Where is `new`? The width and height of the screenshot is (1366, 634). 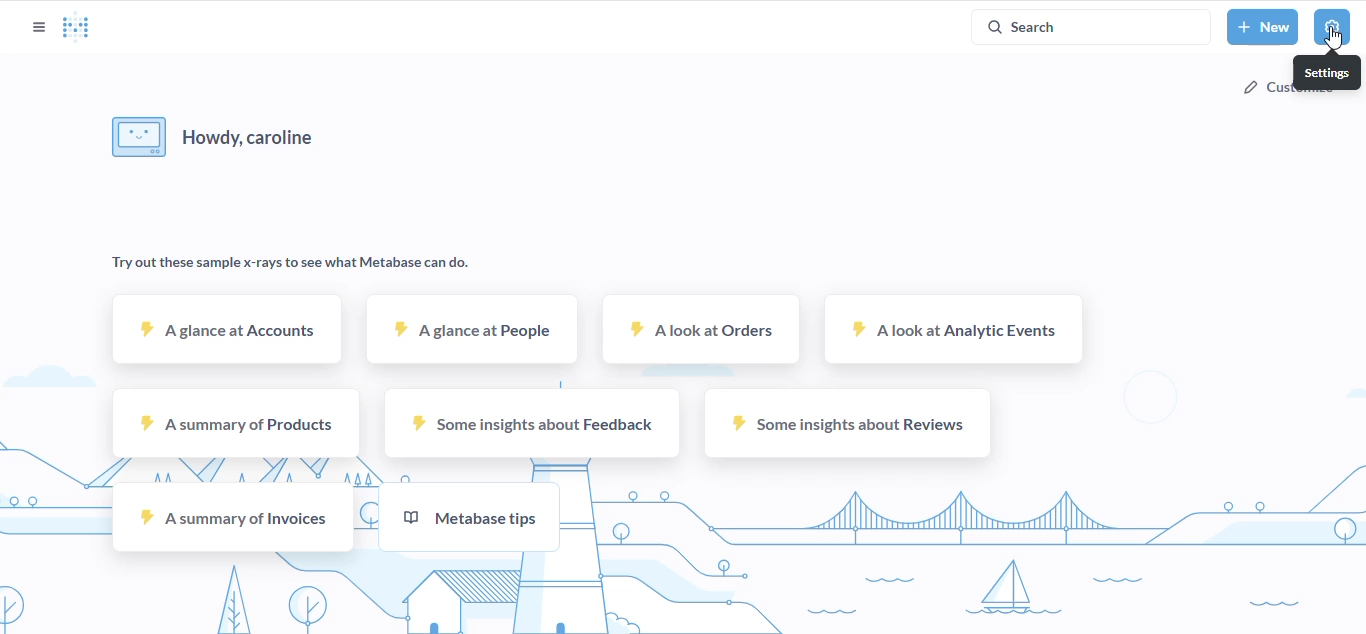
new is located at coordinates (1263, 27).